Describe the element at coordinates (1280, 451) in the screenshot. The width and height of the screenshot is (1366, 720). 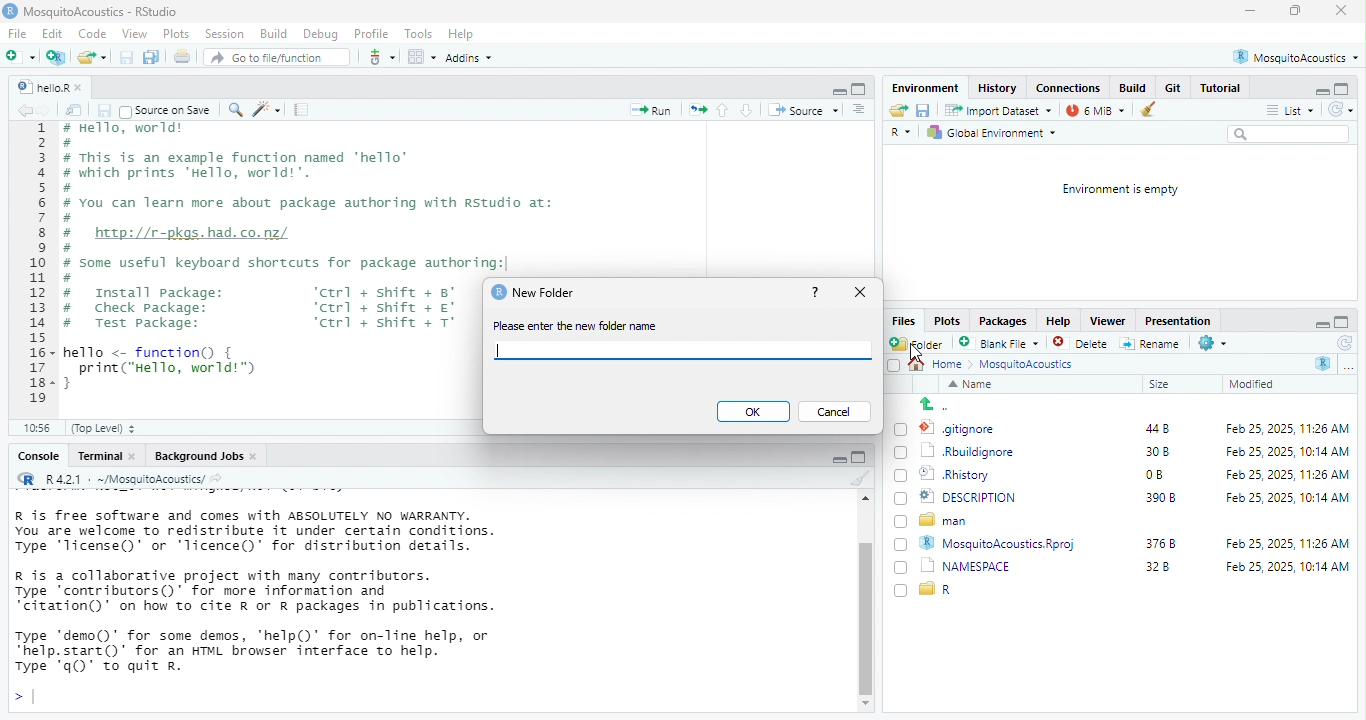
I see `Feb 25 2025 10:14 AM` at that location.